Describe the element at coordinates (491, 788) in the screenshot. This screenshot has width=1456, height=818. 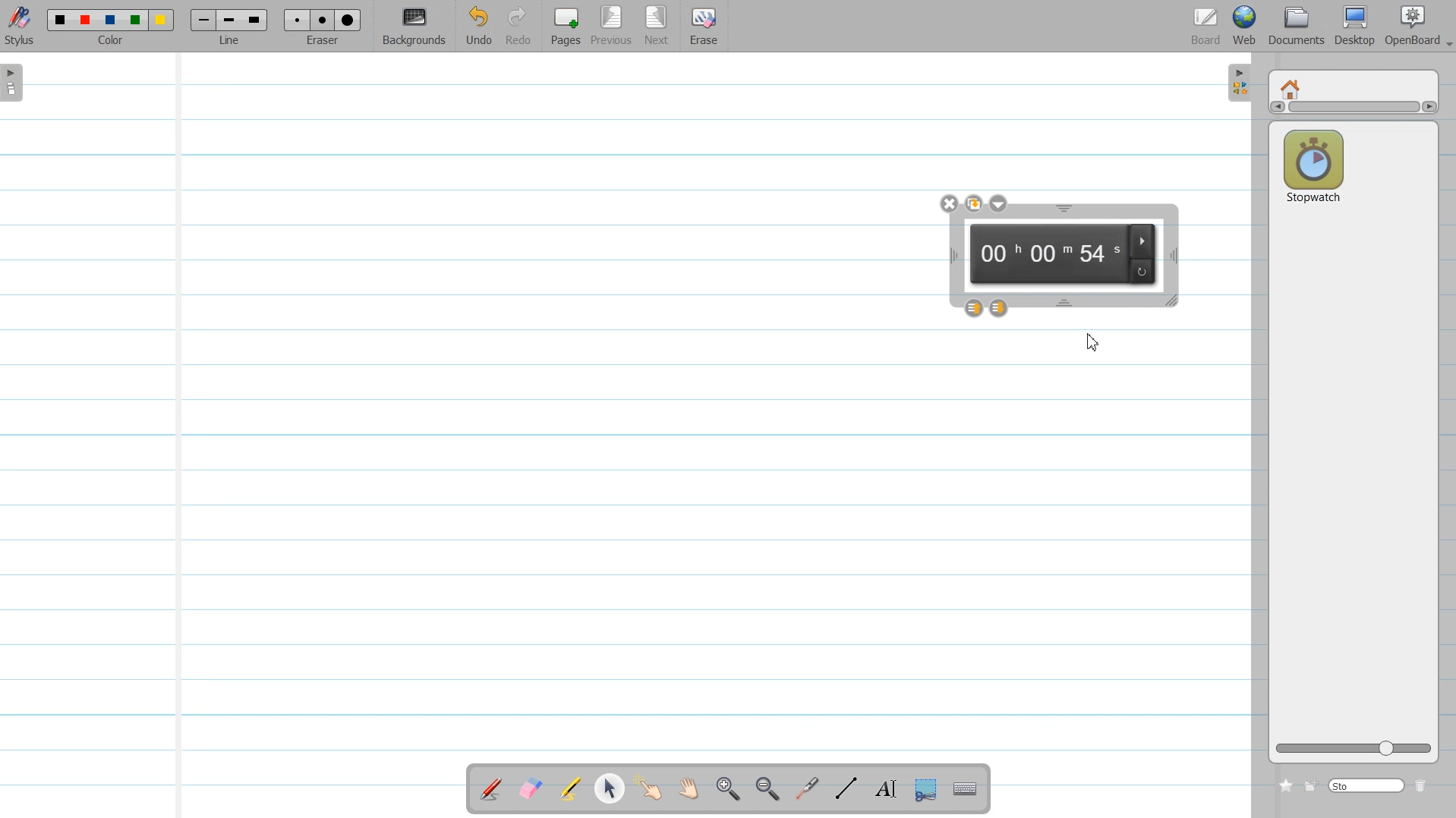
I see `Annotate a Document ` at that location.